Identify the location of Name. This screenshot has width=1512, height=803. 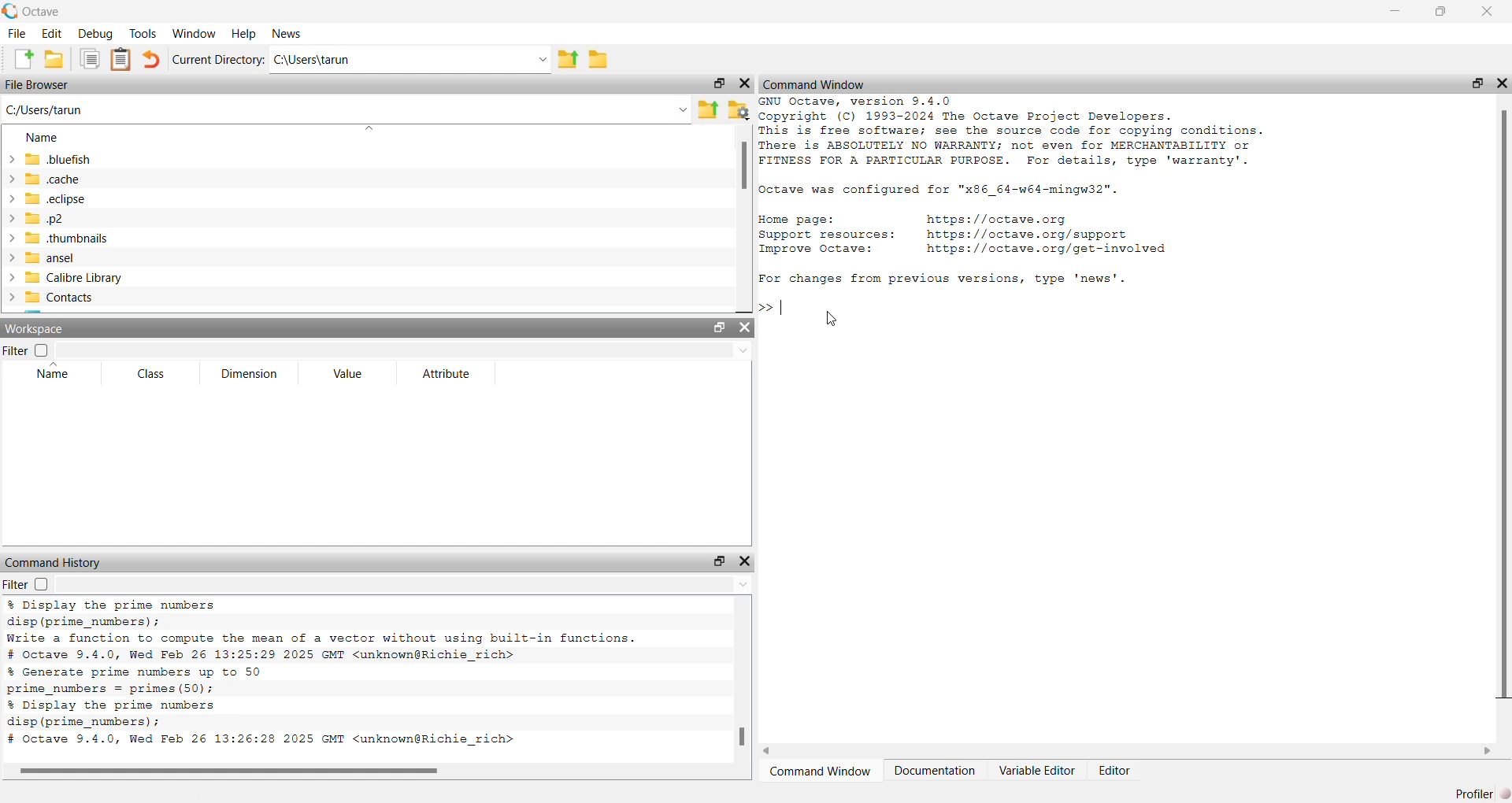
(55, 372).